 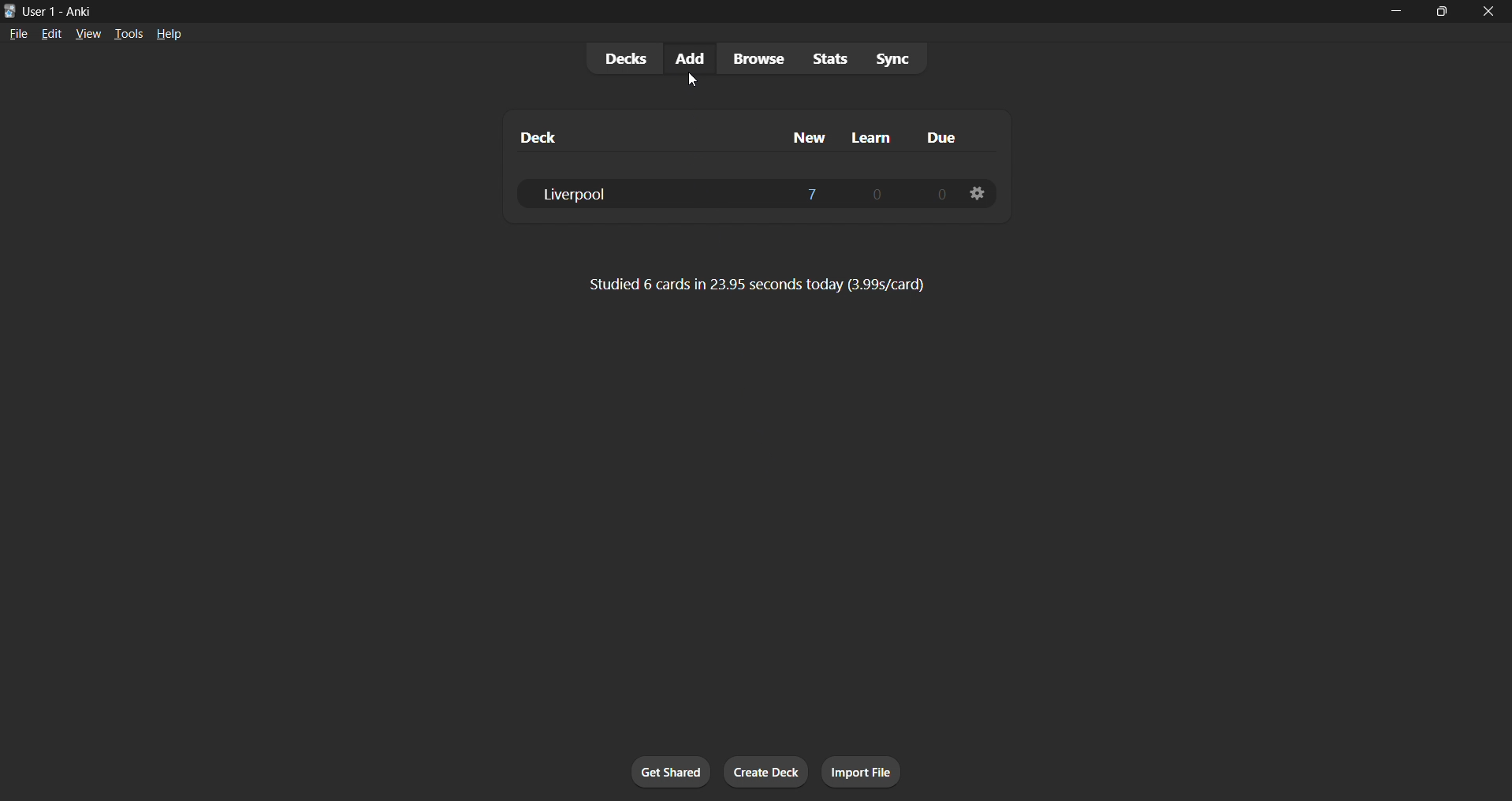 What do you see at coordinates (943, 140) in the screenshot?
I see `due column` at bounding box center [943, 140].